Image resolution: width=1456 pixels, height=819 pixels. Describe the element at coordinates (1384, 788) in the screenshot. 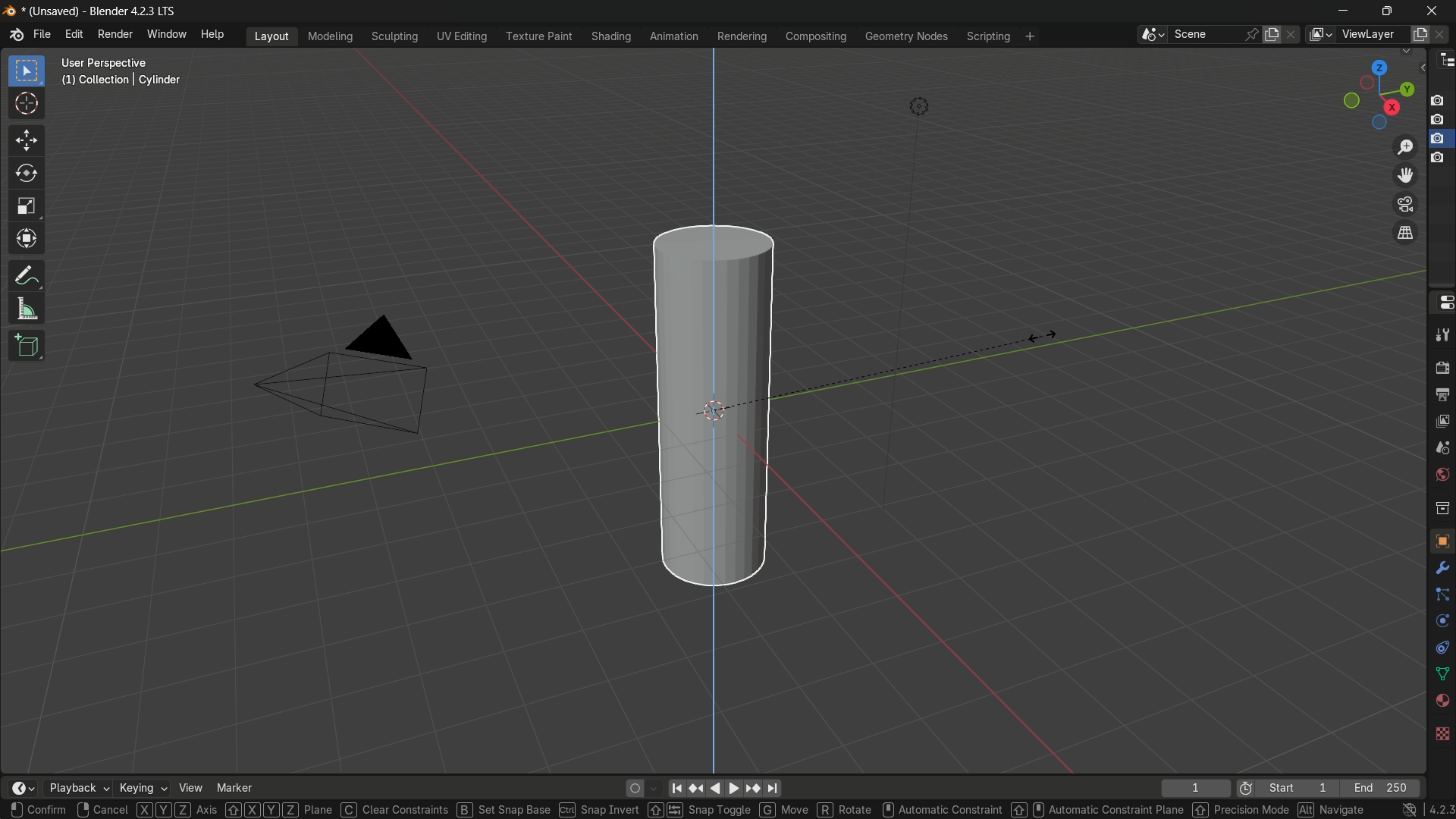

I see `End 250` at that location.